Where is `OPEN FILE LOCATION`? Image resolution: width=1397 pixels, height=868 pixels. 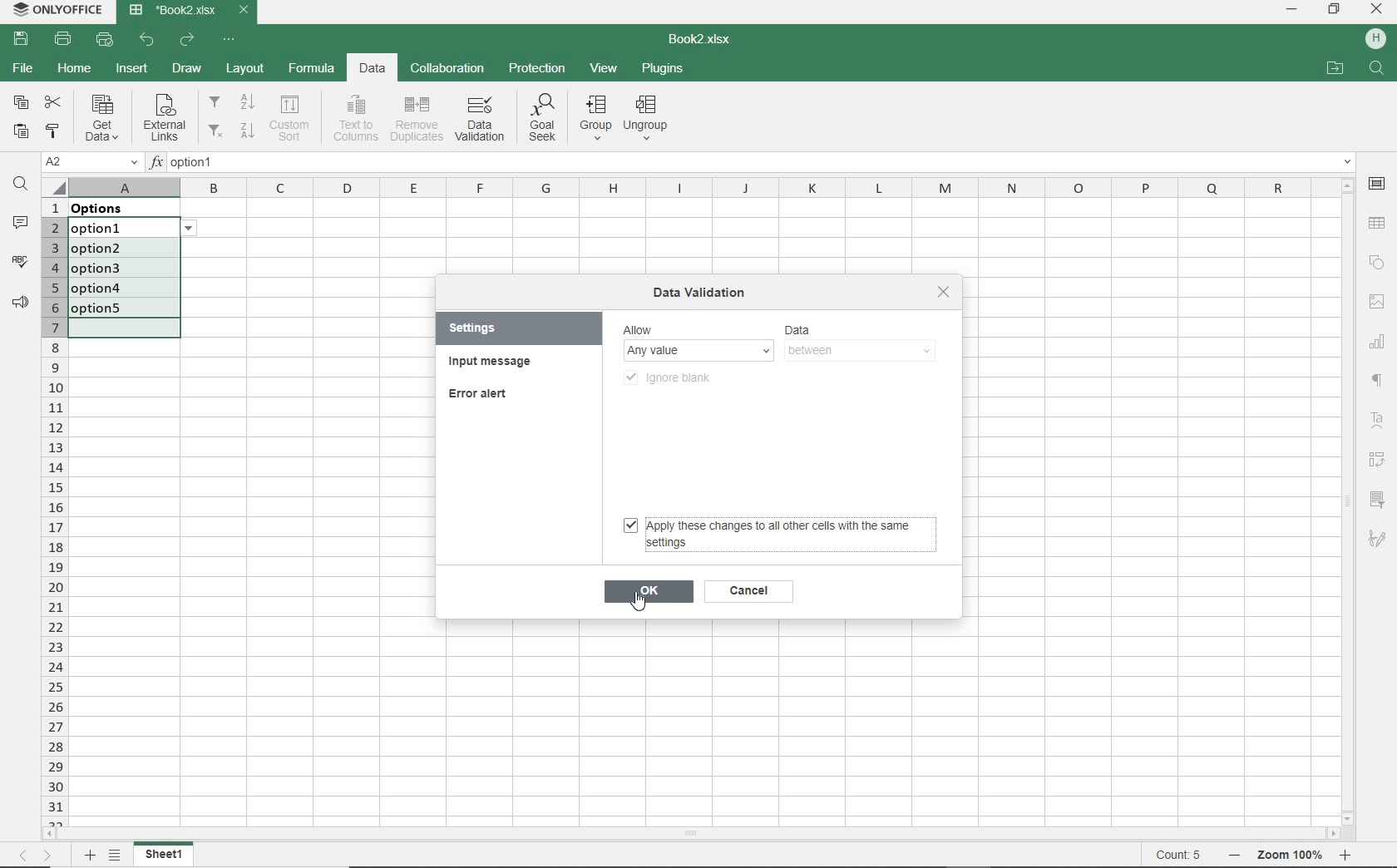 OPEN FILE LOCATION is located at coordinates (1335, 67).